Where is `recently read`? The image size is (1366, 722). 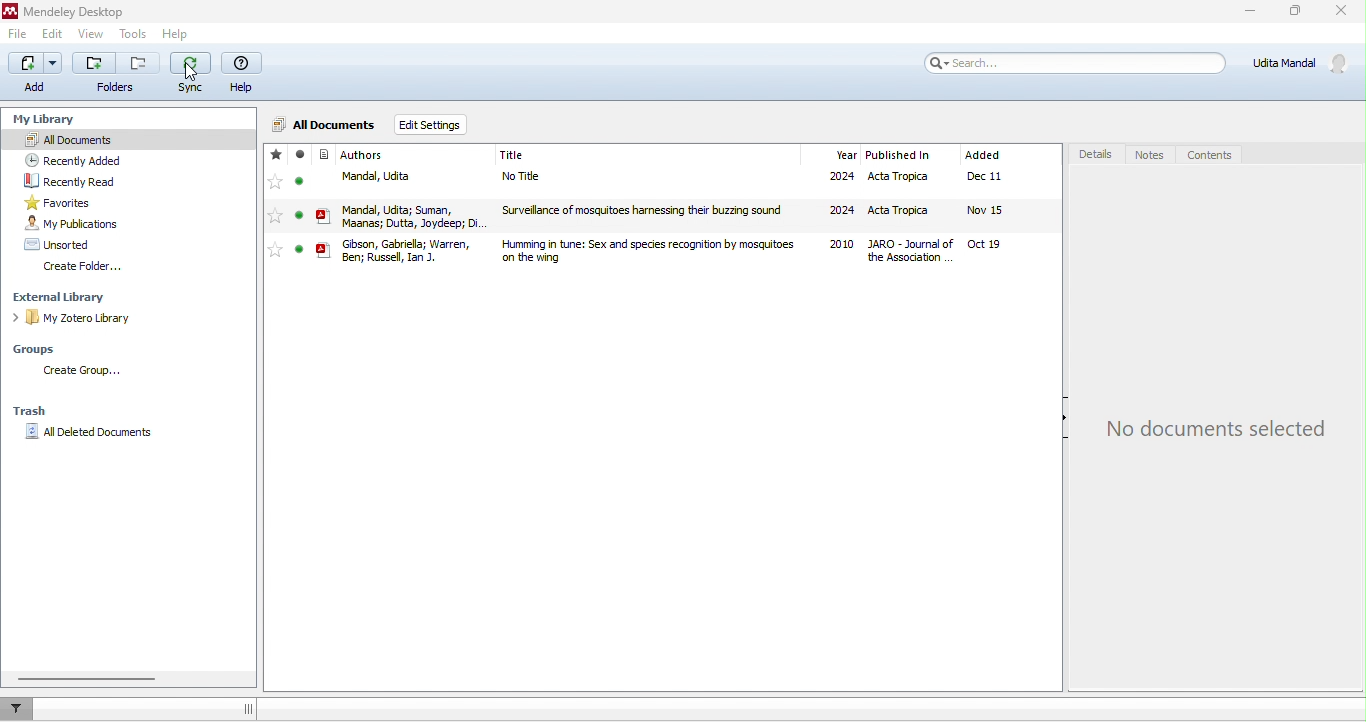 recently read is located at coordinates (79, 181).